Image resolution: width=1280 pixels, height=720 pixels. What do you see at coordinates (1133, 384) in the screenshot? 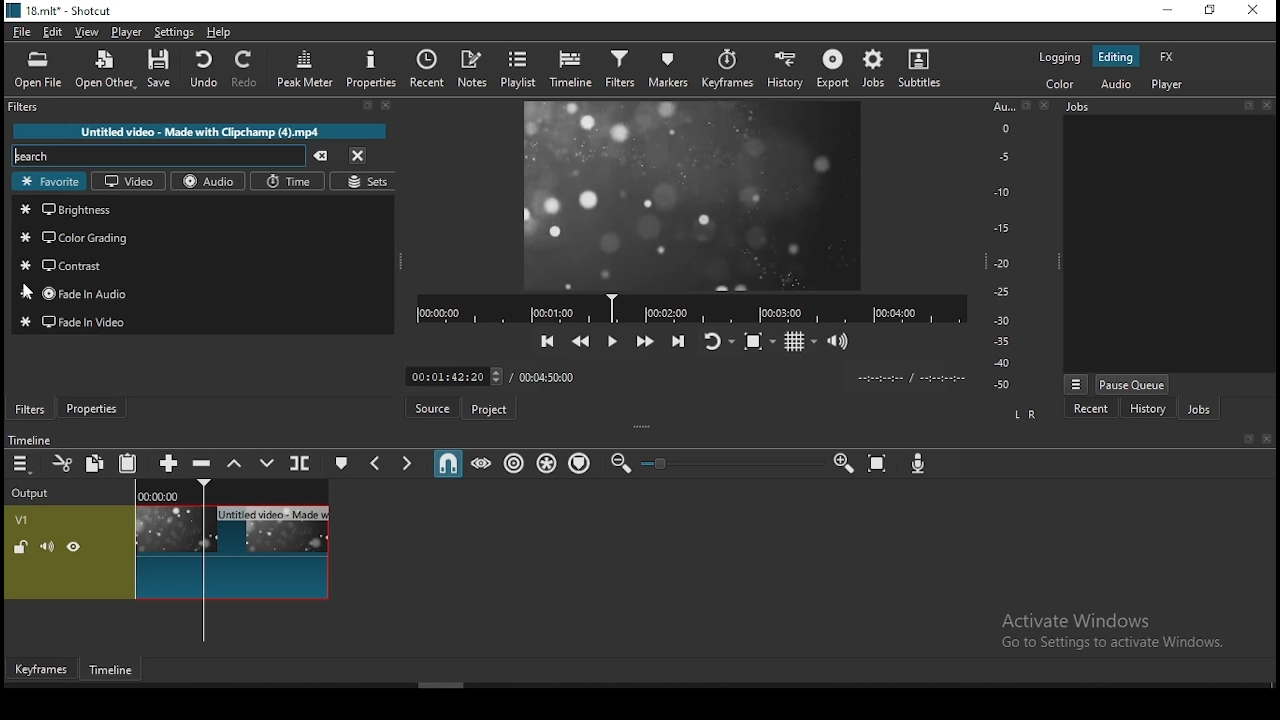
I see `pause queue` at bounding box center [1133, 384].